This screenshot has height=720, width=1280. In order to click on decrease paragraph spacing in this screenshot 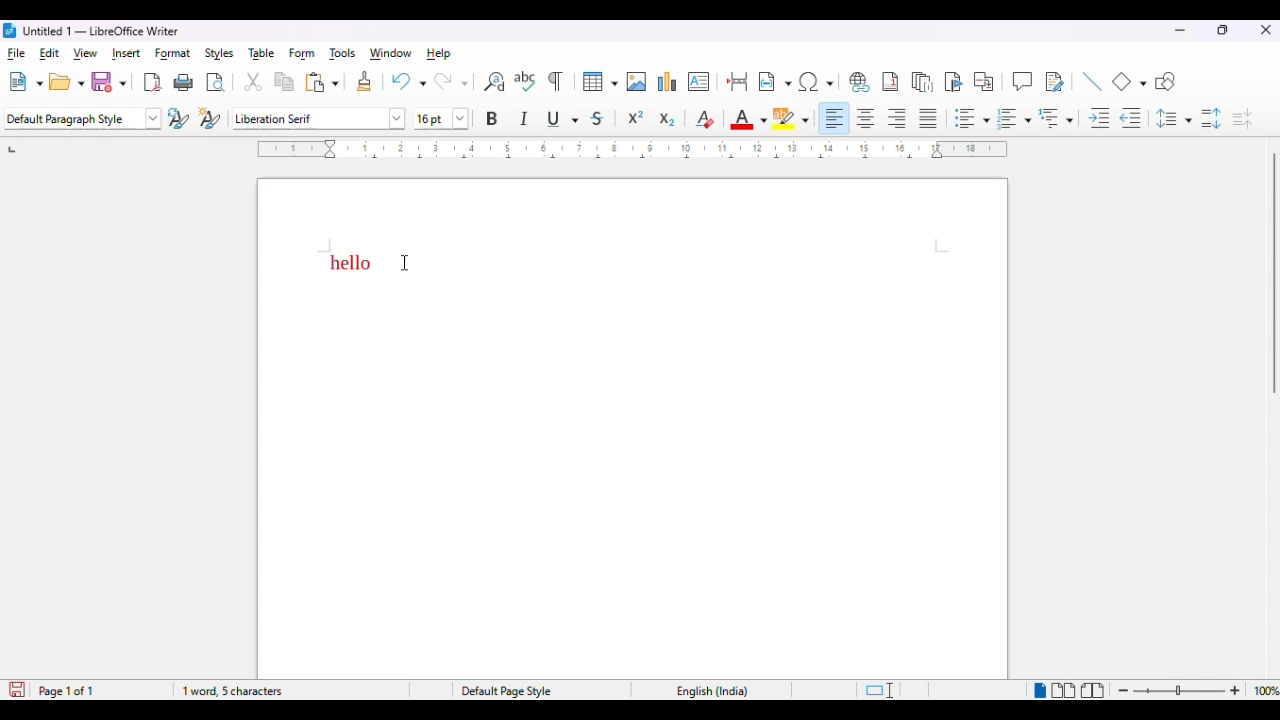, I will do `click(1242, 119)`.